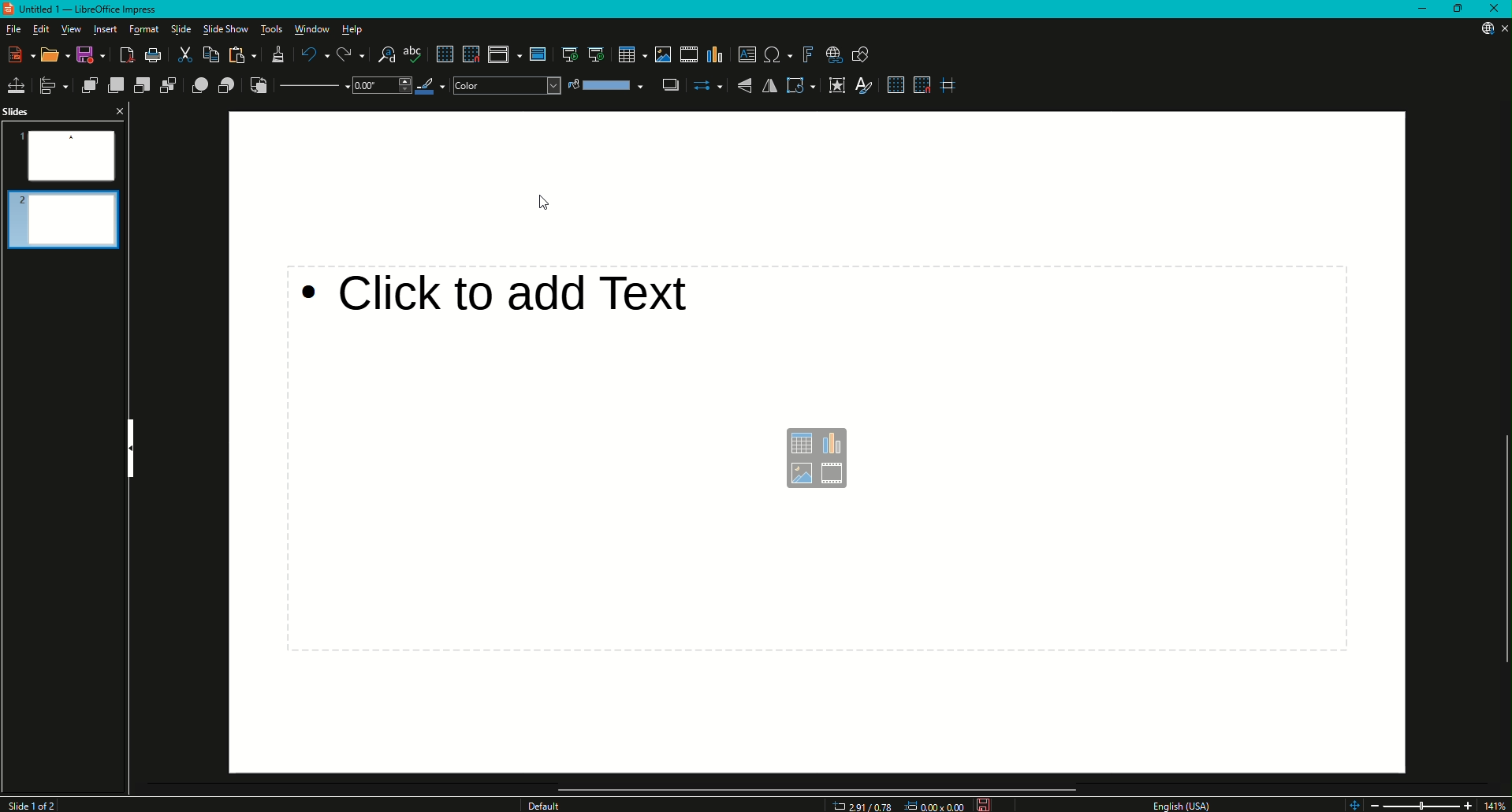 The height and width of the screenshot is (812, 1512). Describe the element at coordinates (181, 30) in the screenshot. I see `Slide` at that location.